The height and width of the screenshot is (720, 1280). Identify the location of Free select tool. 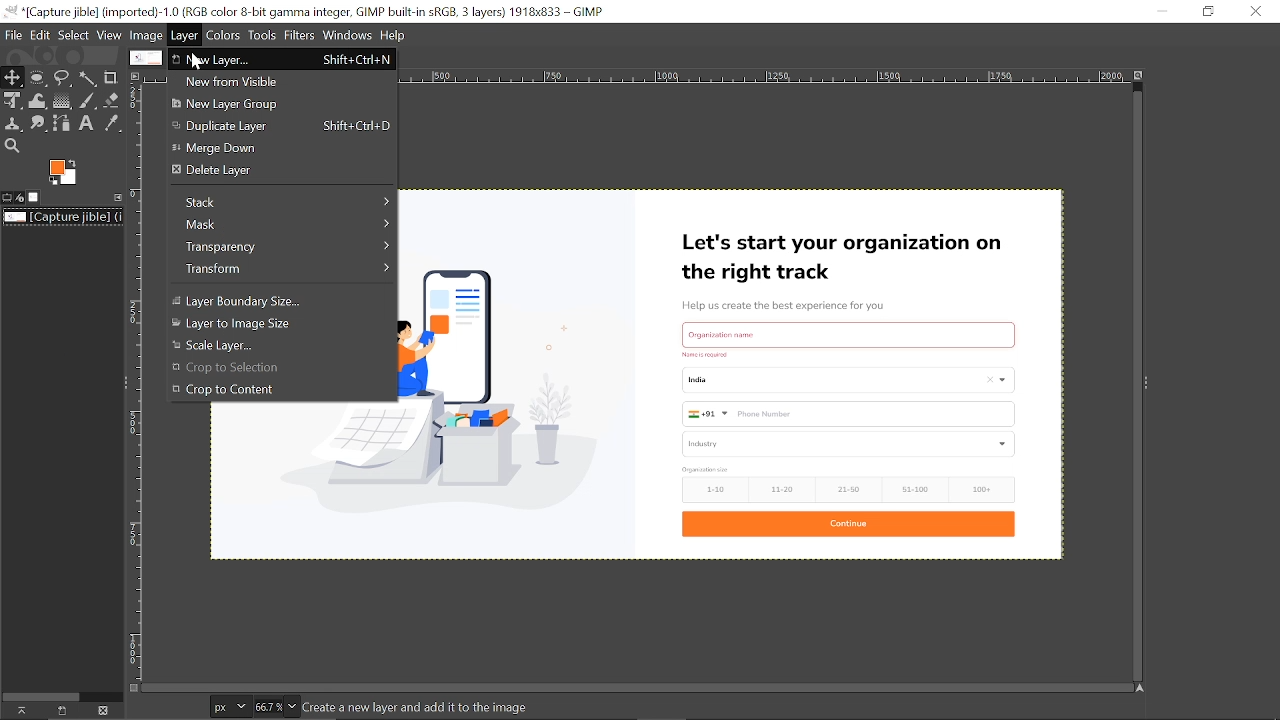
(63, 79).